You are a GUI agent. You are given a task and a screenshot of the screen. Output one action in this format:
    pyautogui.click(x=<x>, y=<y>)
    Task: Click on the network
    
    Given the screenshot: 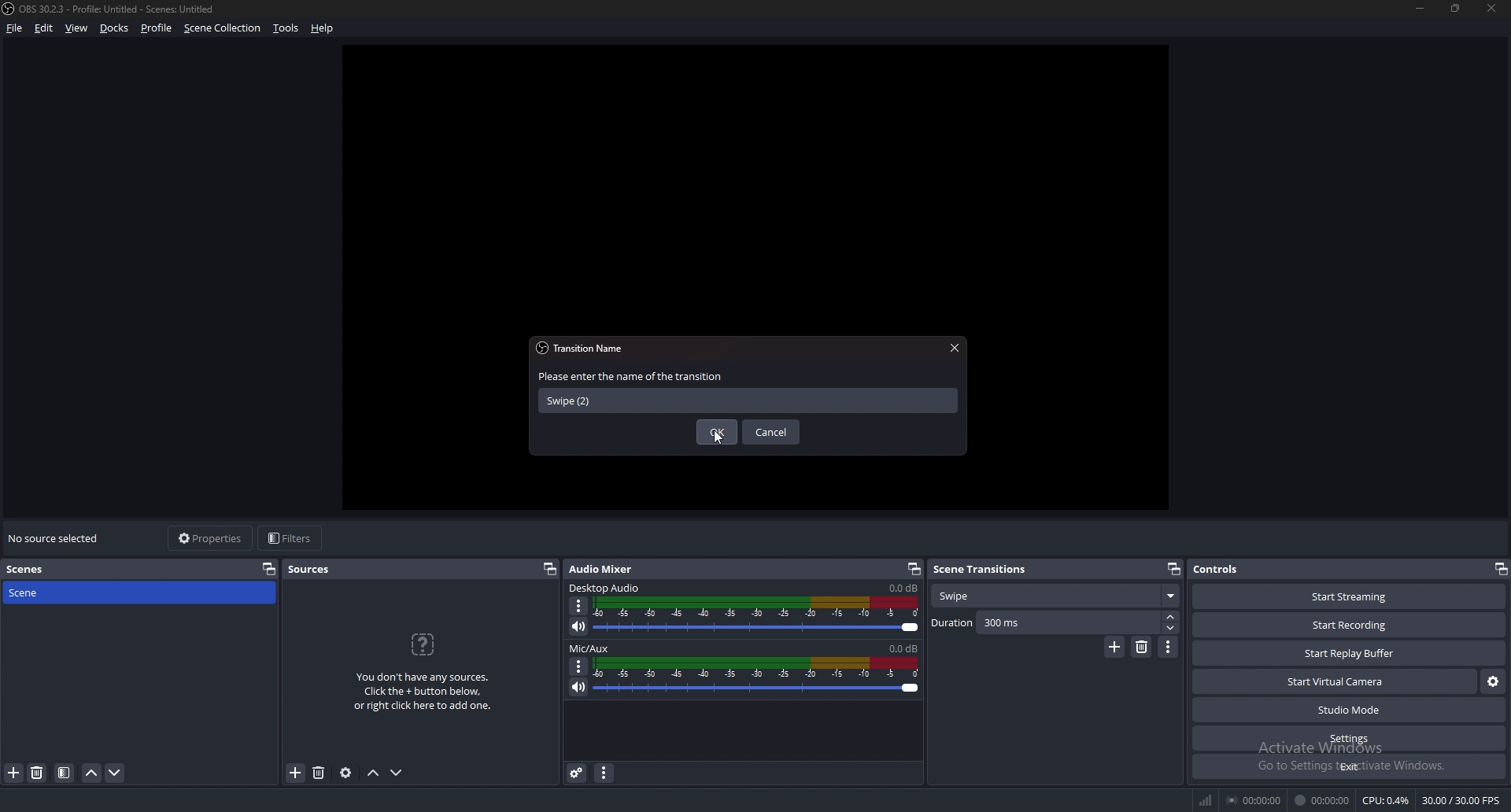 What is the action you would take?
    pyautogui.click(x=1209, y=799)
    